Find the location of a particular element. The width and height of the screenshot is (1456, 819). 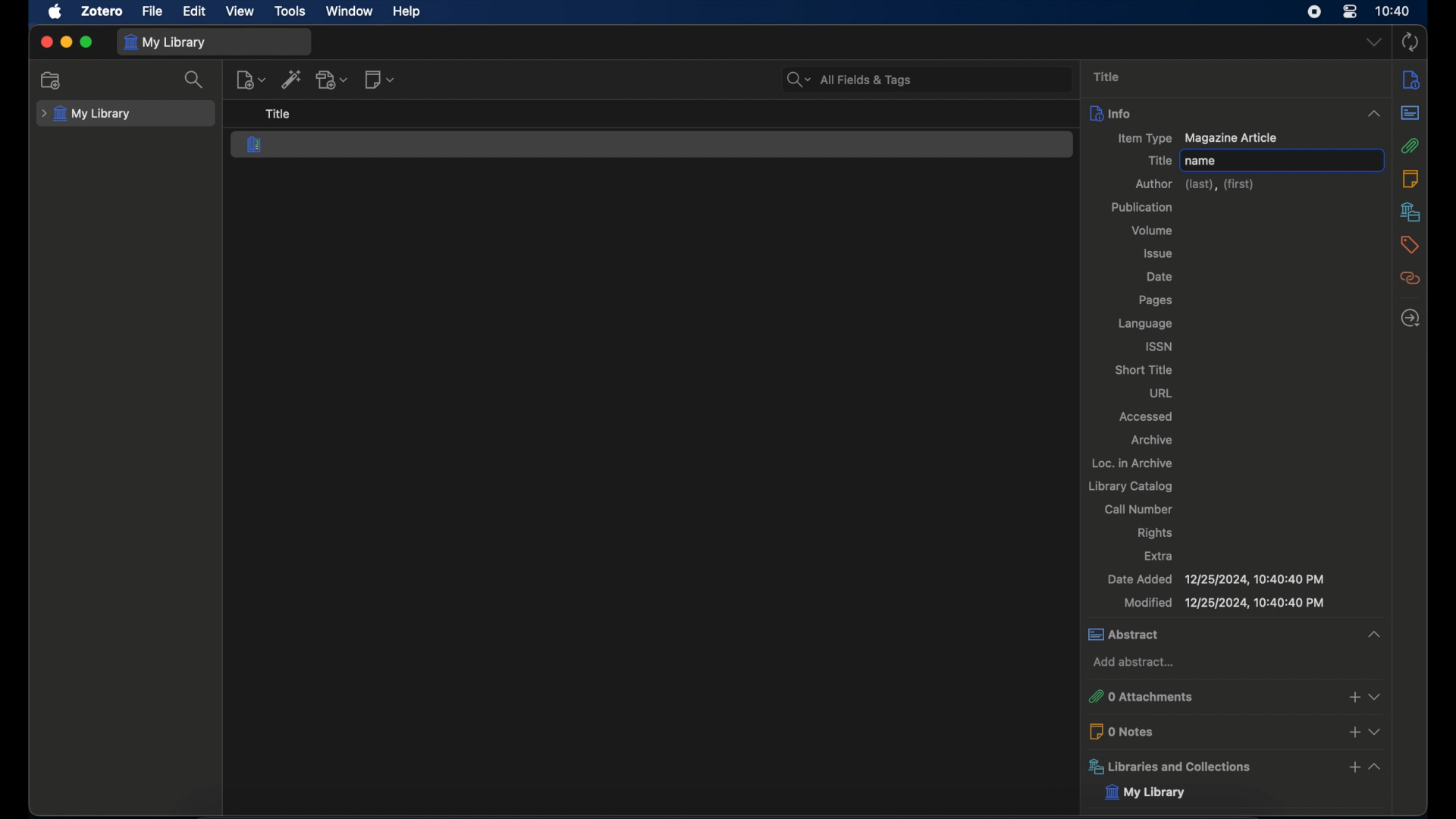

rights is located at coordinates (1156, 534).